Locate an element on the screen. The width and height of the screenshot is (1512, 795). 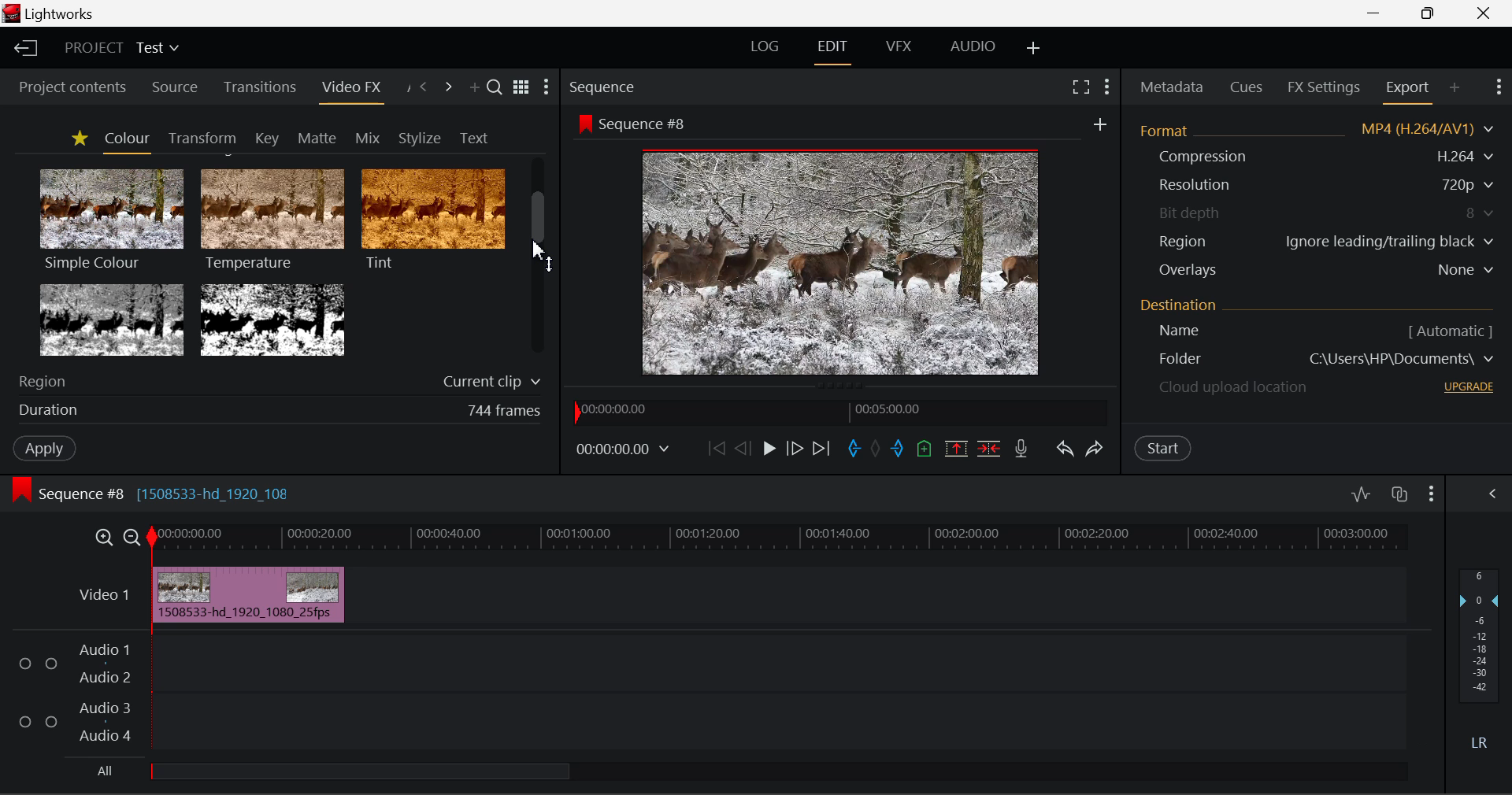
Inserted Clip is located at coordinates (249, 594).